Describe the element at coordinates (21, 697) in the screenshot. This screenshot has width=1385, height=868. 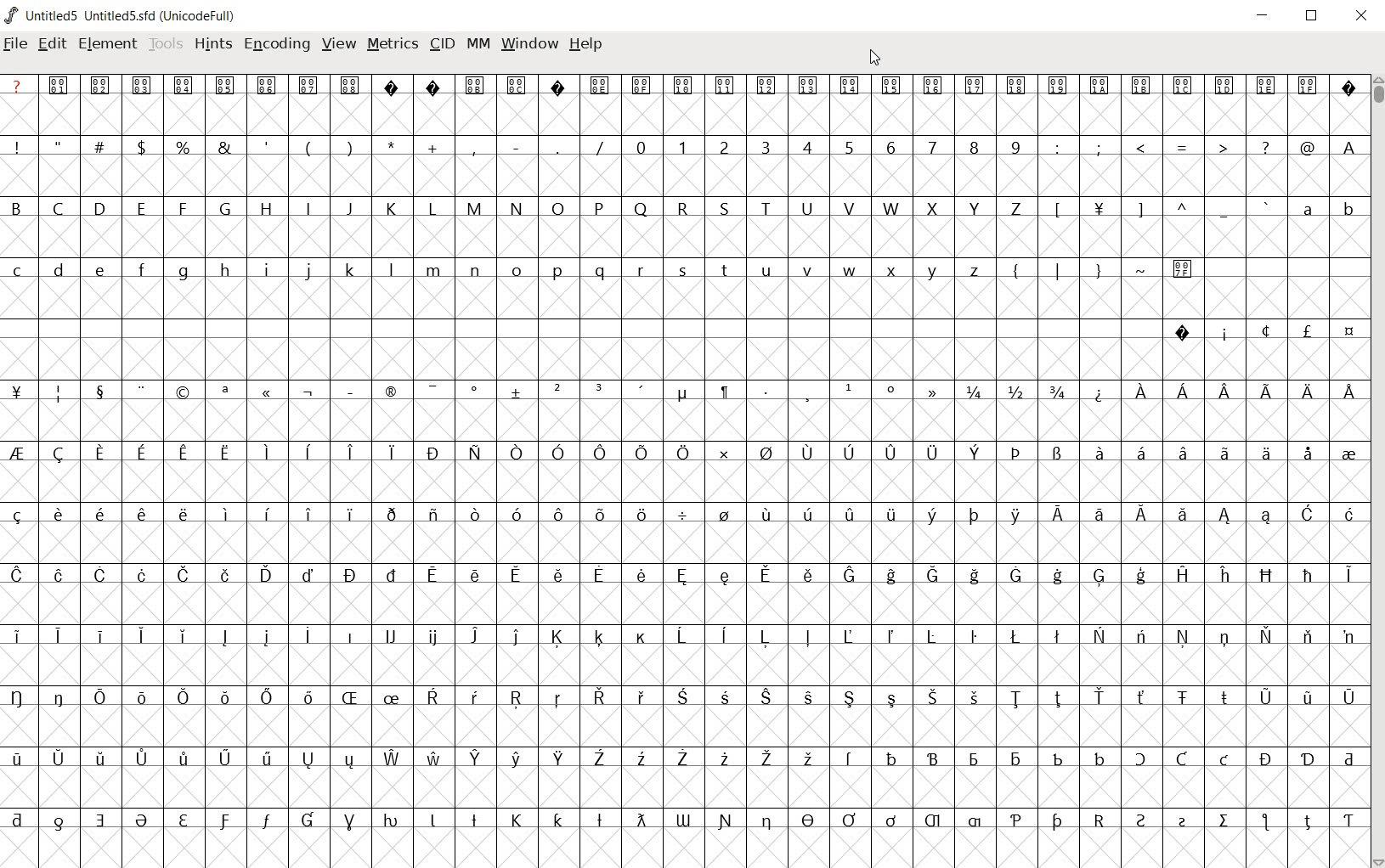
I see `Symbol` at that location.